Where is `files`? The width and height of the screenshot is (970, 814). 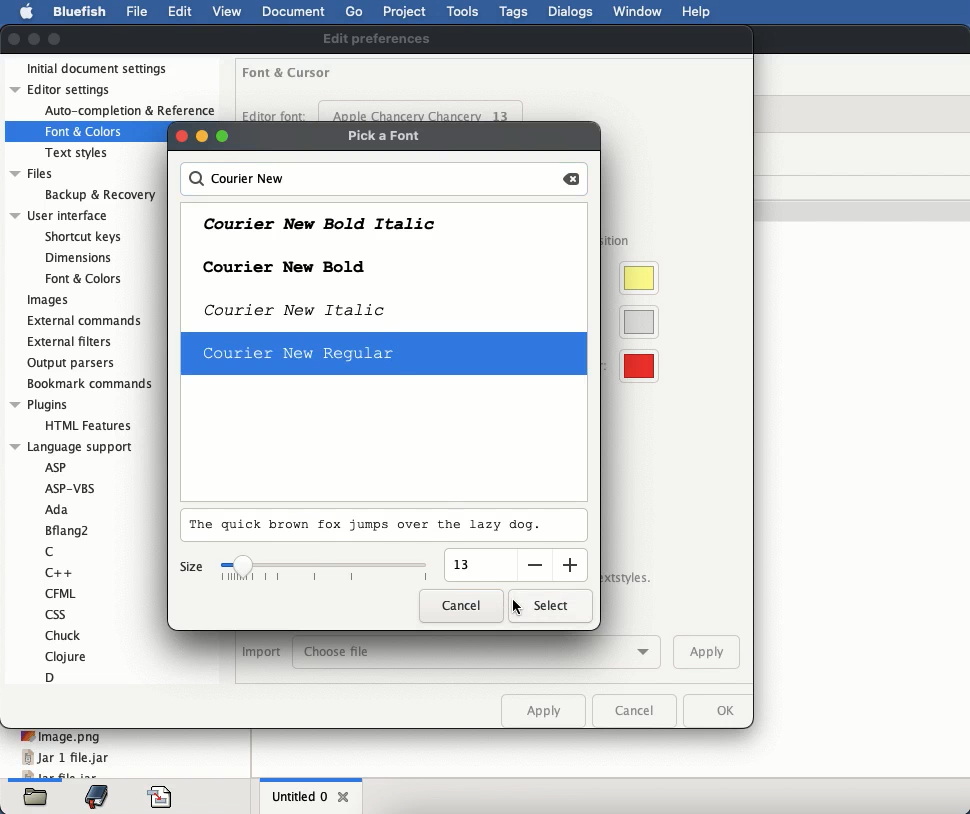
files is located at coordinates (84, 185).